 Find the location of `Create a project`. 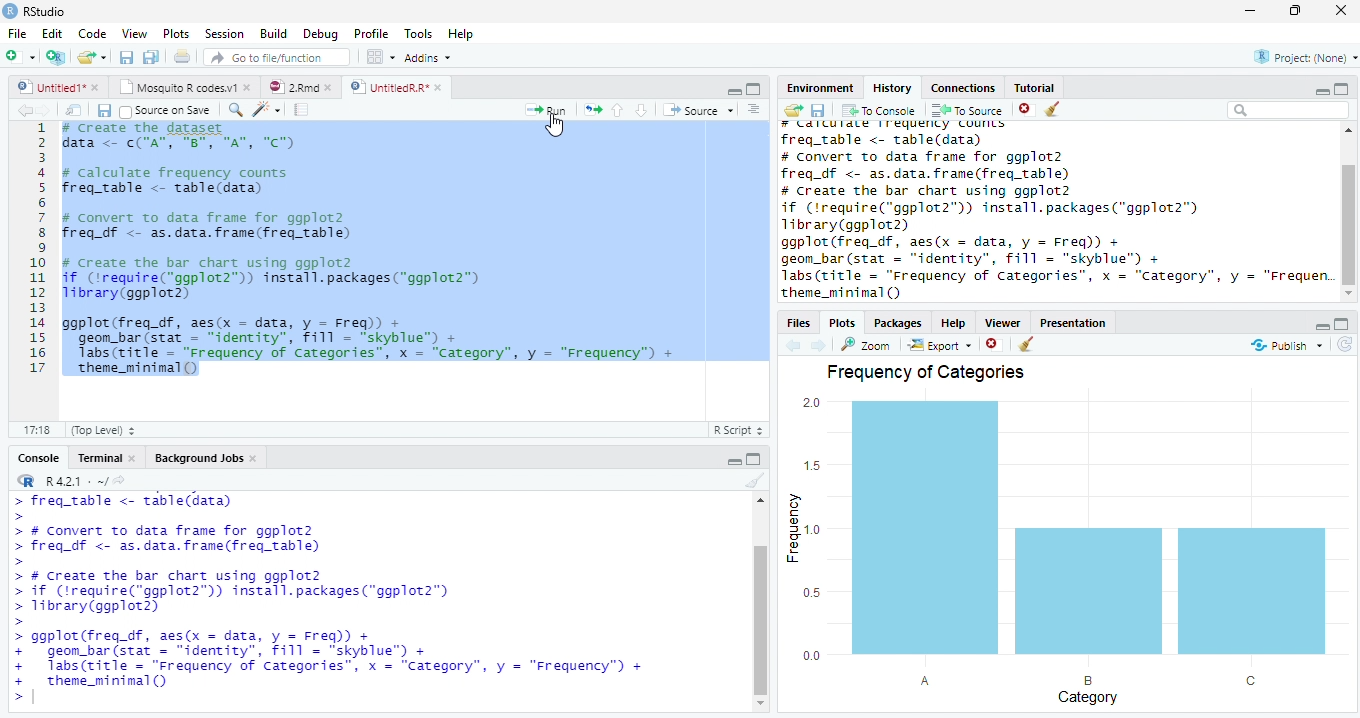

Create a project is located at coordinates (54, 56).